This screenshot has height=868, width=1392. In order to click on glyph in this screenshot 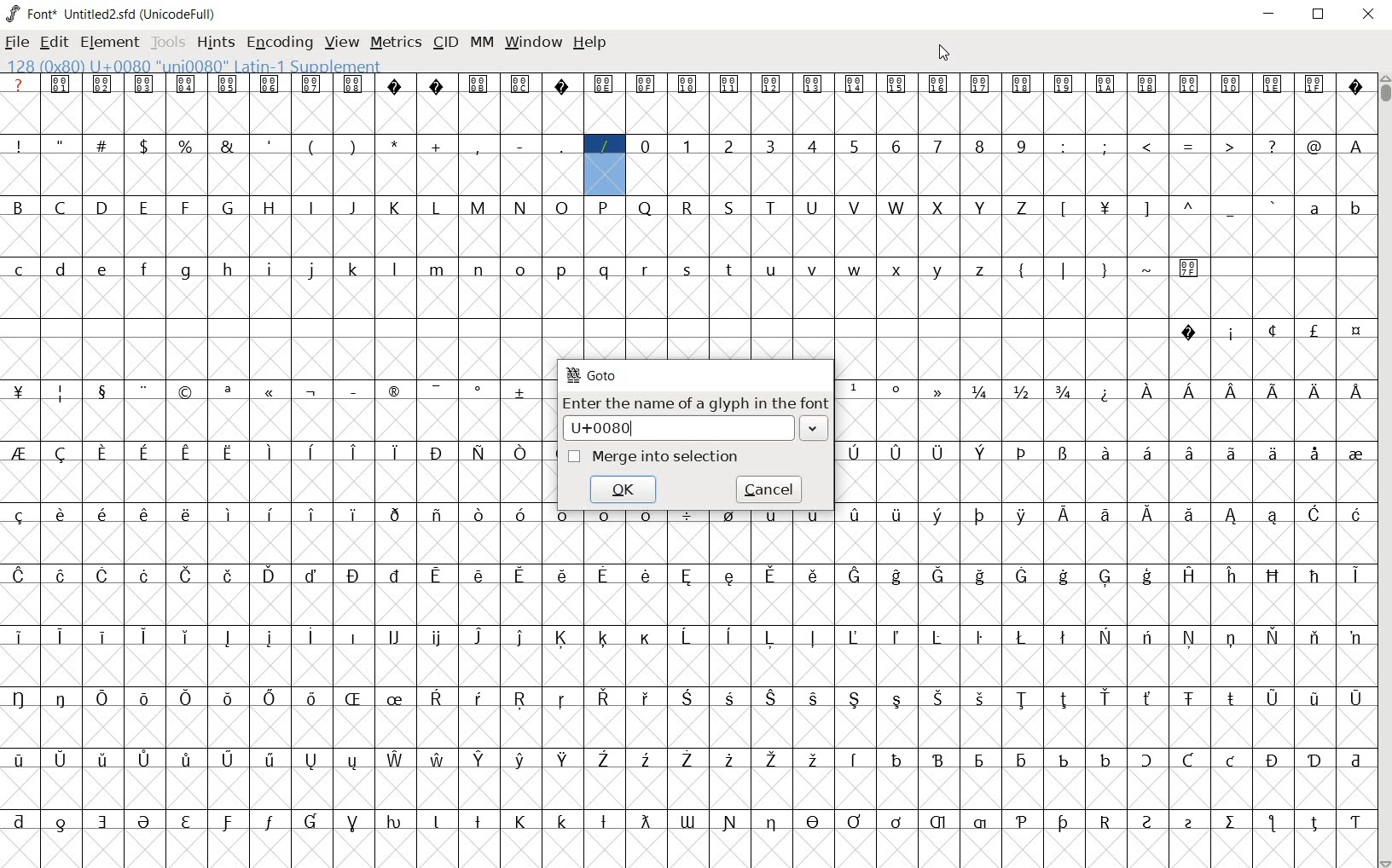, I will do `click(187, 698)`.